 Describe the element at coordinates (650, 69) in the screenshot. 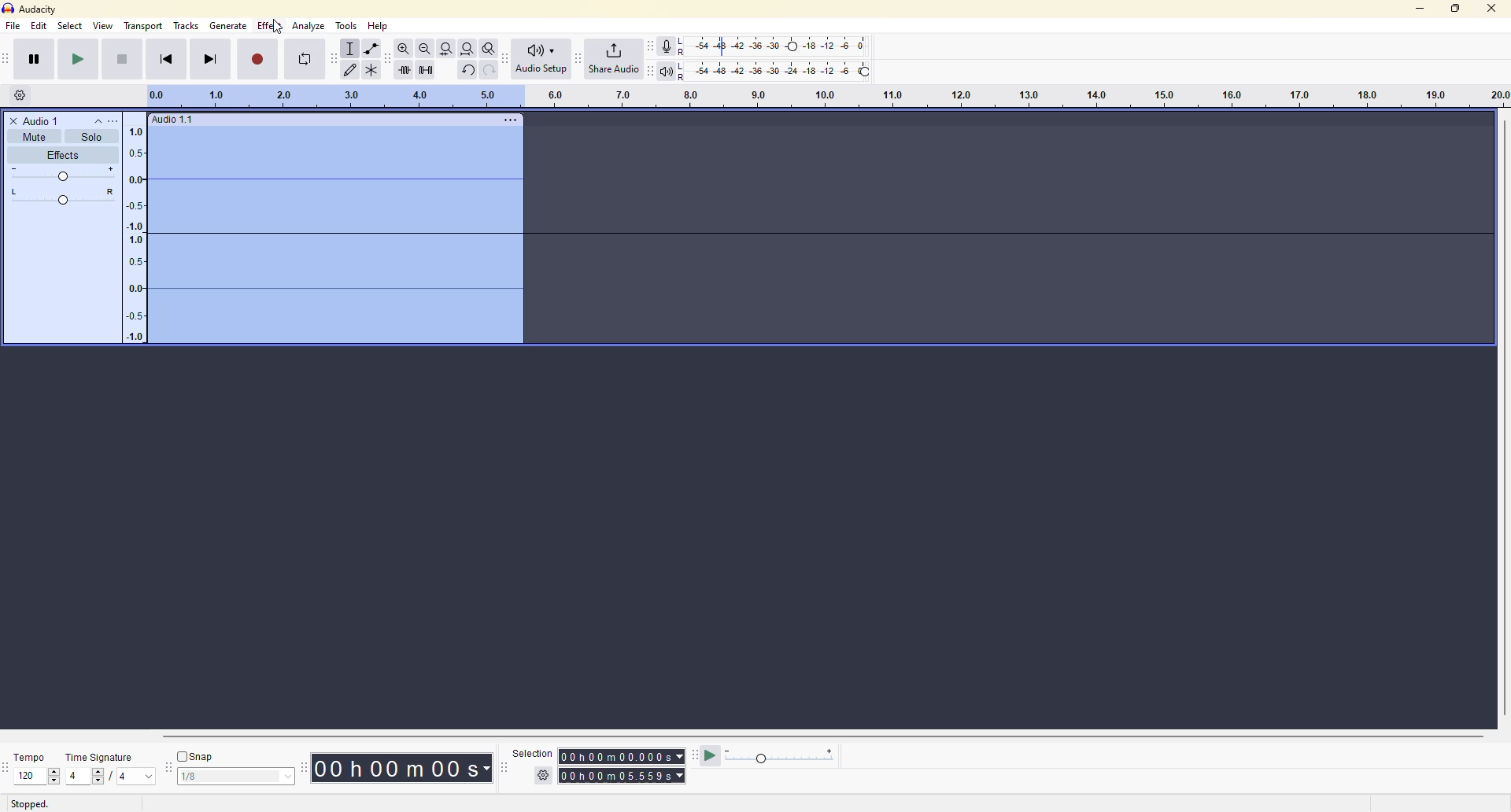

I see `playback meter toolbar` at that location.